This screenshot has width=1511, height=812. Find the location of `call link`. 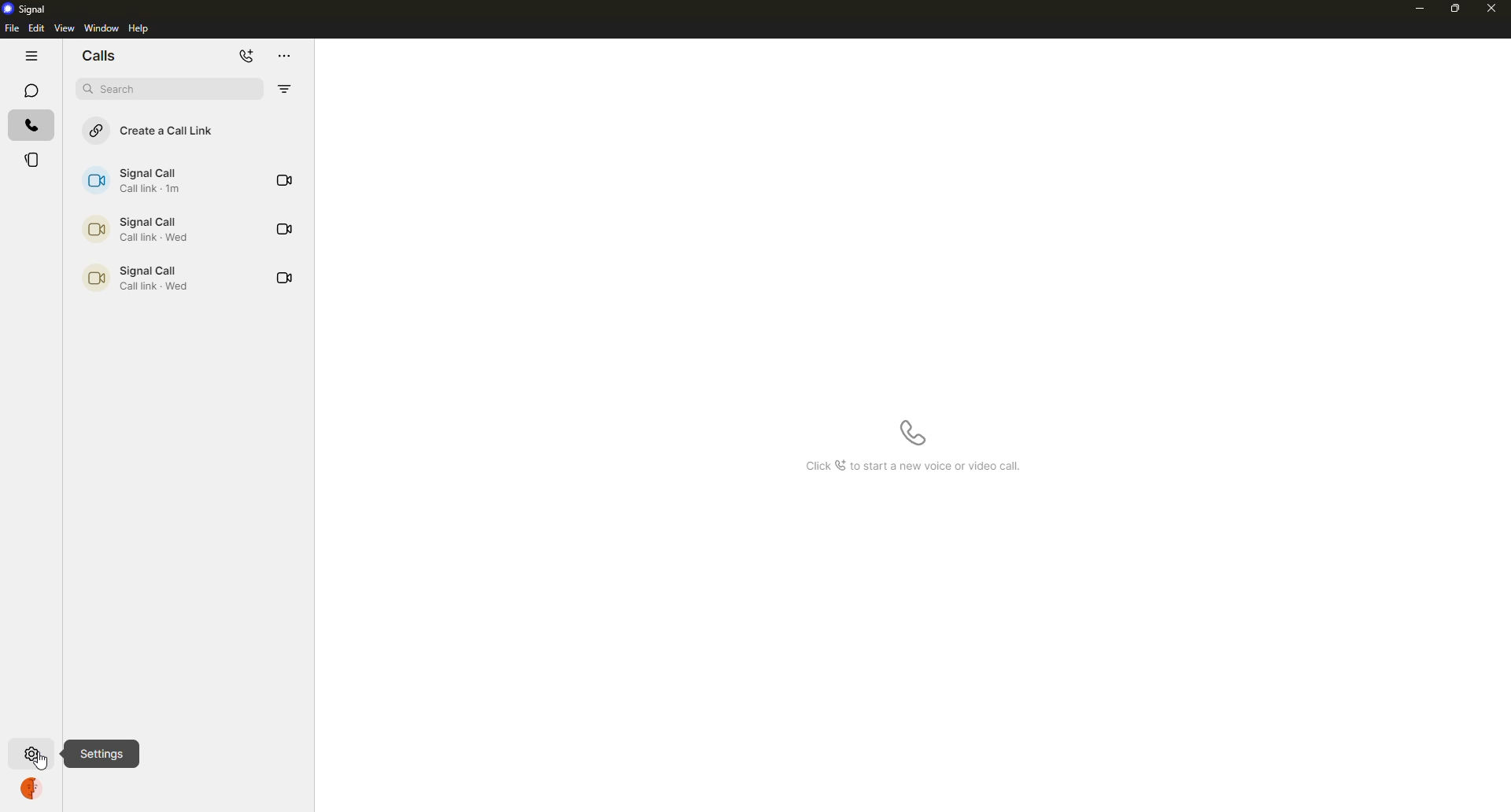

call link is located at coordinates (134, 180).